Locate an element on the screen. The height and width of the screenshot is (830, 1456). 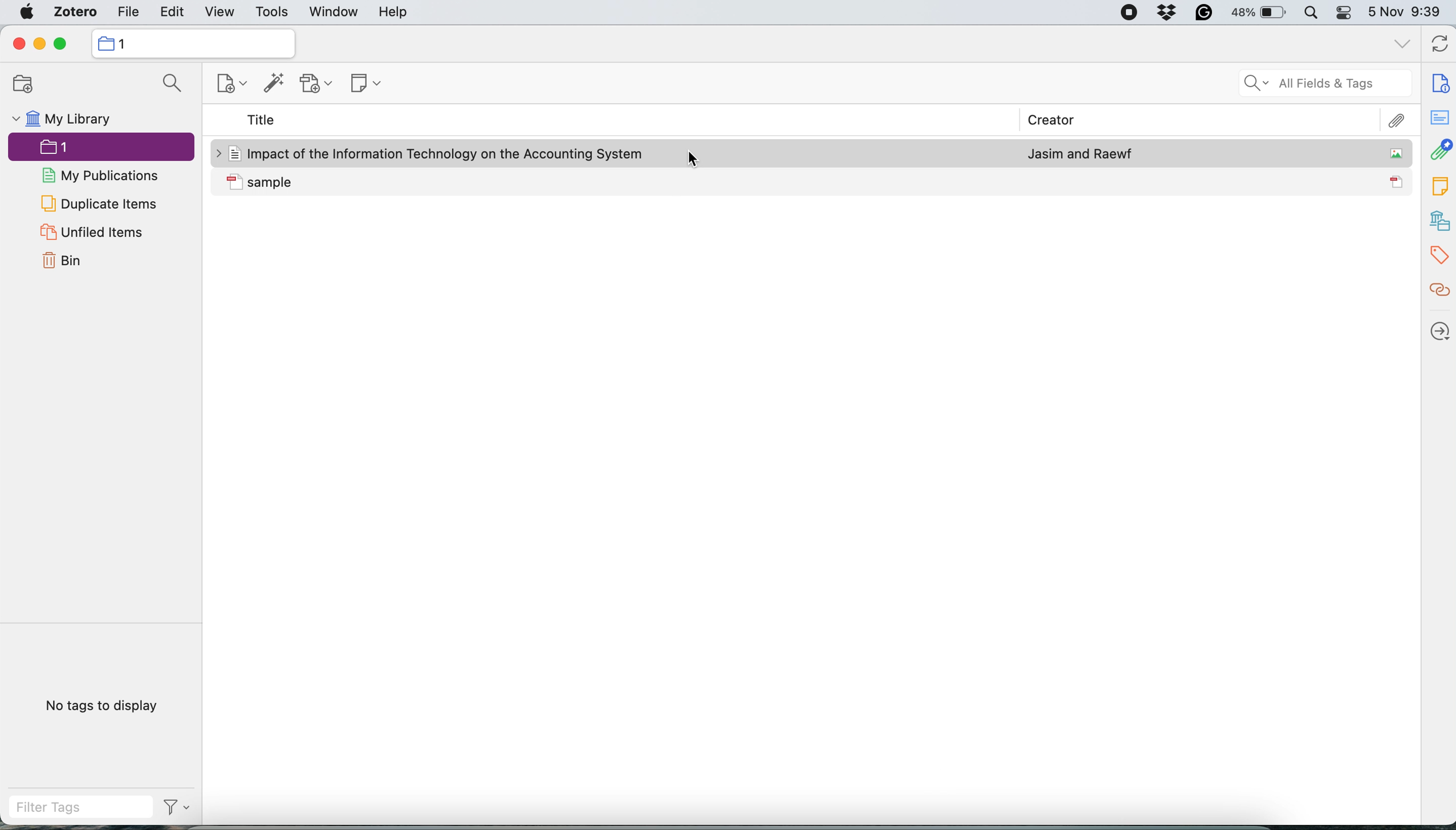
my publications is located at coordinates (104, 176).